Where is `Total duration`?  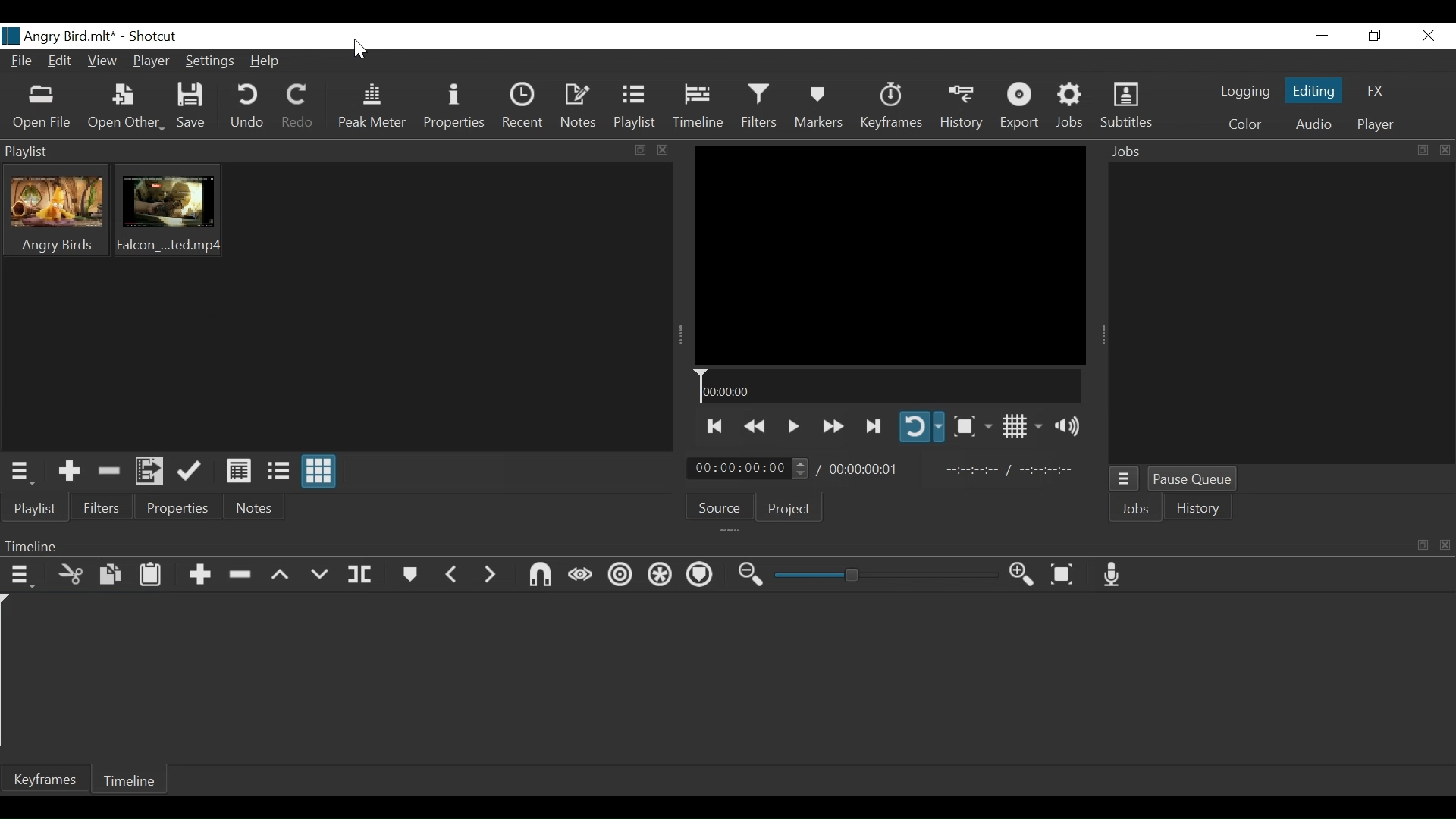
Total duration is located at coordinates (868, 469).